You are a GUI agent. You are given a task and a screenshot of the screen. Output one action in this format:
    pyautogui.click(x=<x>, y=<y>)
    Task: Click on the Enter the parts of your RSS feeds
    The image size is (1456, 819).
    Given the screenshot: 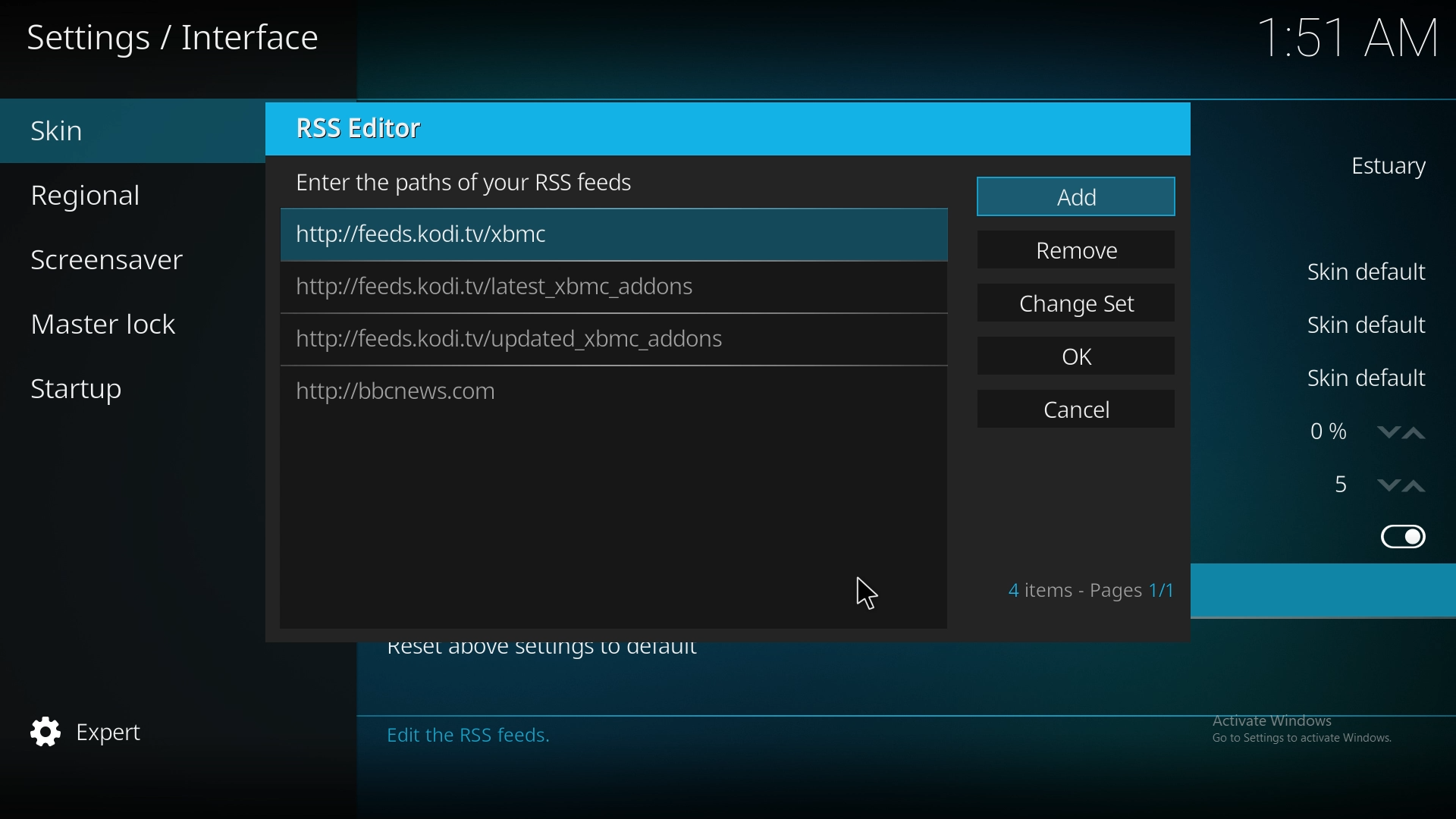 What is the action you would take?
    pyautogui.click(x=472, y=181)
    